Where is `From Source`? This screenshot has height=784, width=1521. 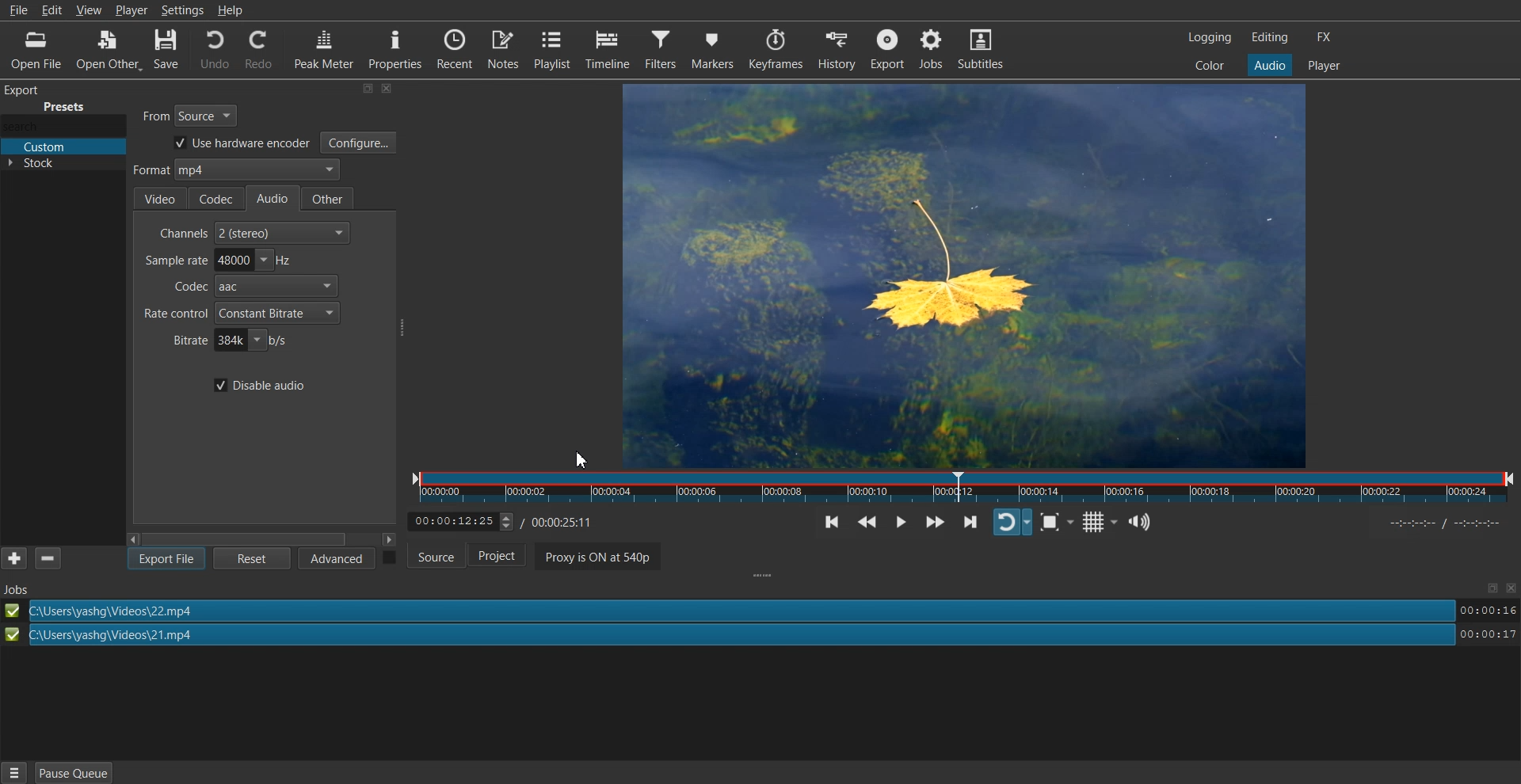
From Source is located at coordinates (192, 113).